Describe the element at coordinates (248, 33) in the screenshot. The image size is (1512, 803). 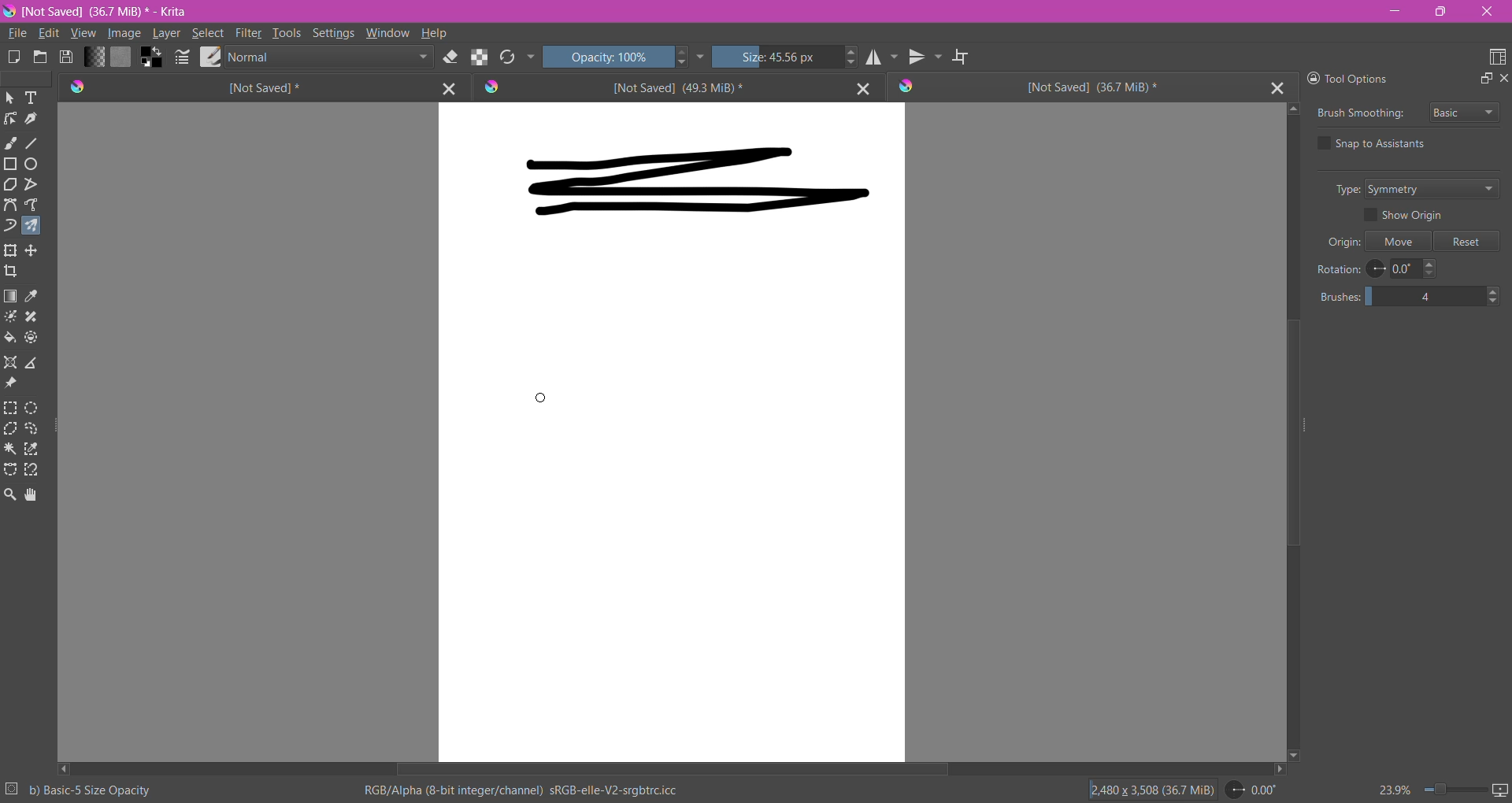
I see `Filter` at that location.